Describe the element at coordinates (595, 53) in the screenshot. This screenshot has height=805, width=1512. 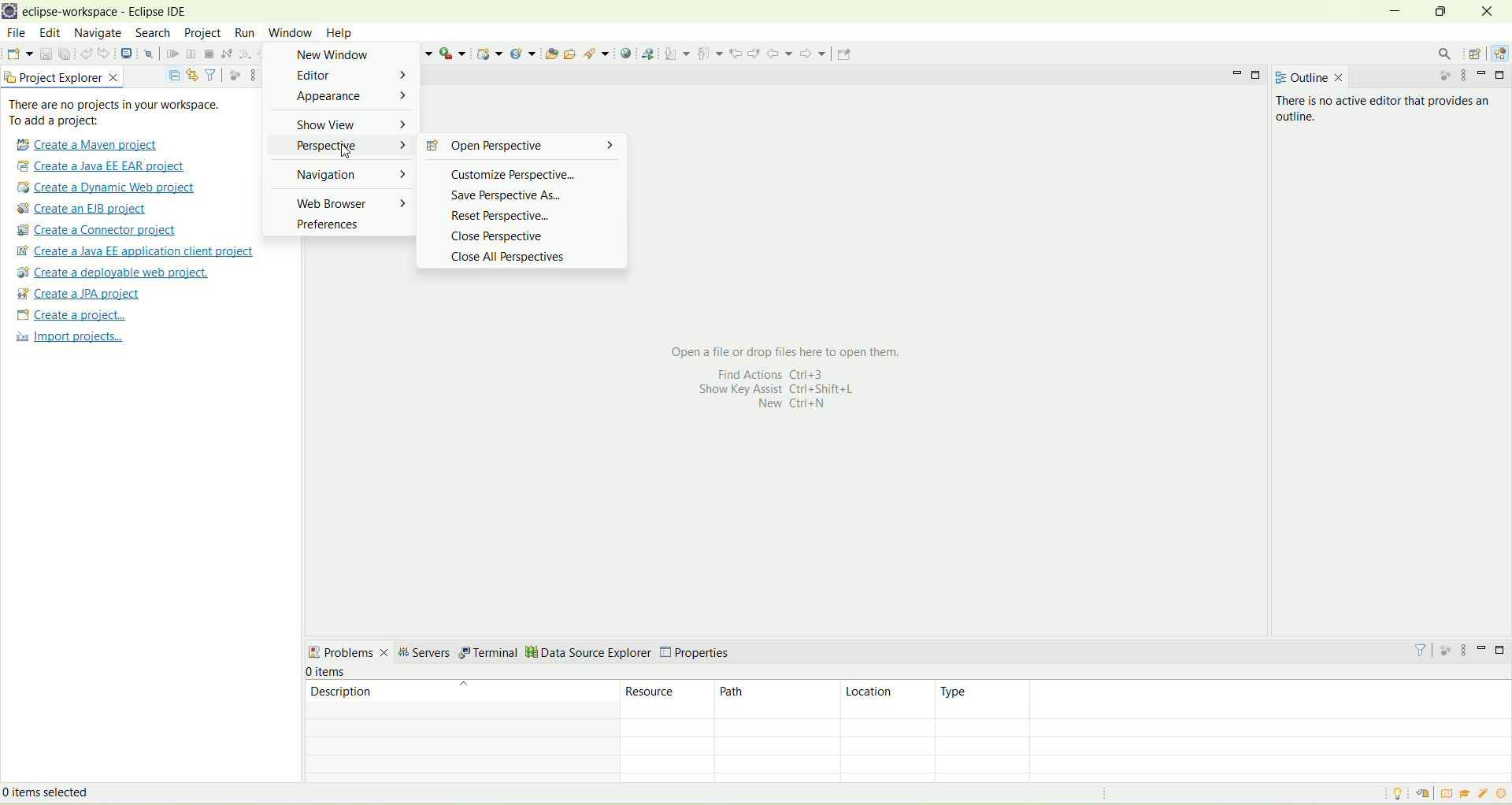
I see `search` at that location.